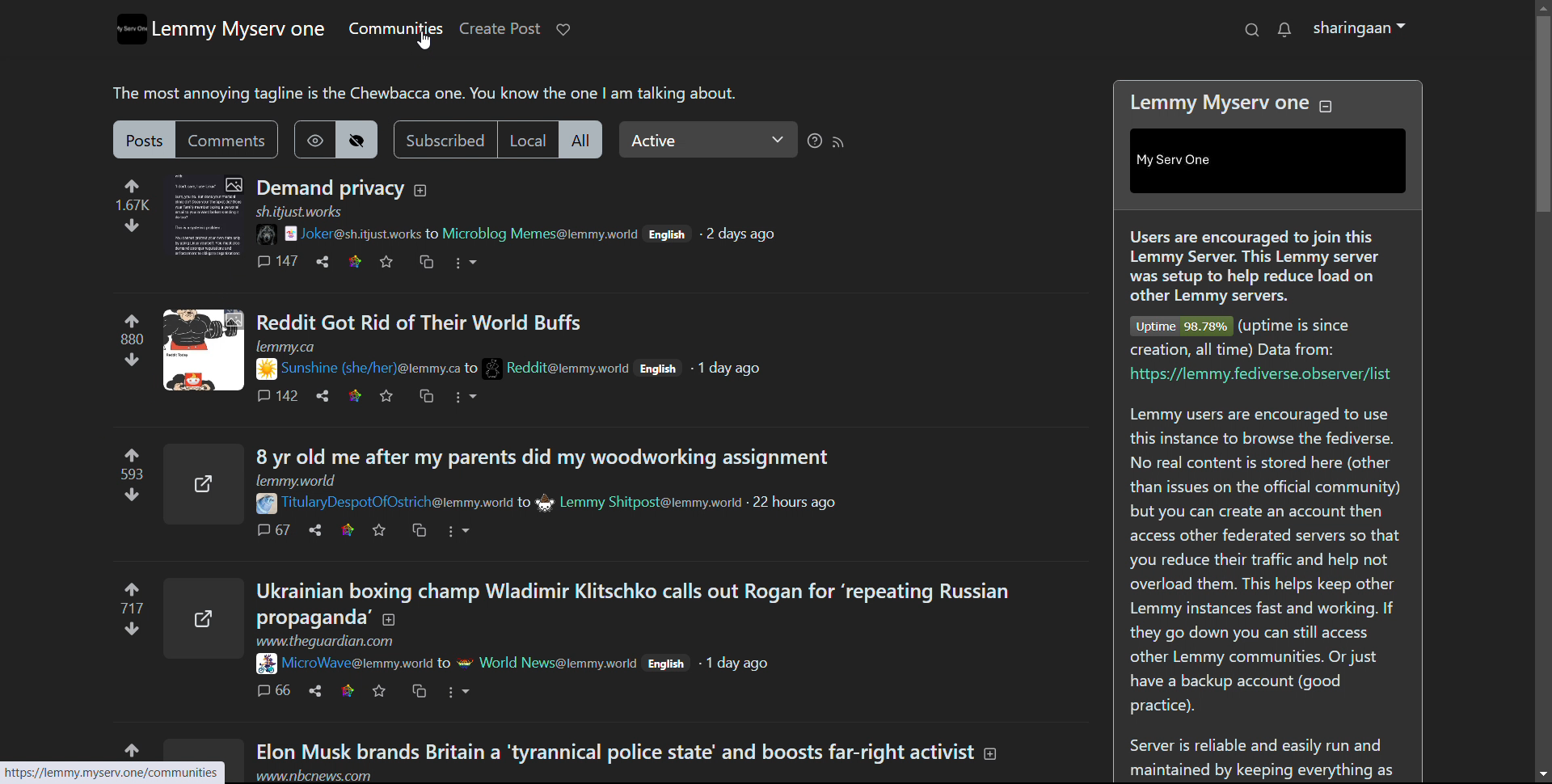  I want to click on copy, so click(428, 397).